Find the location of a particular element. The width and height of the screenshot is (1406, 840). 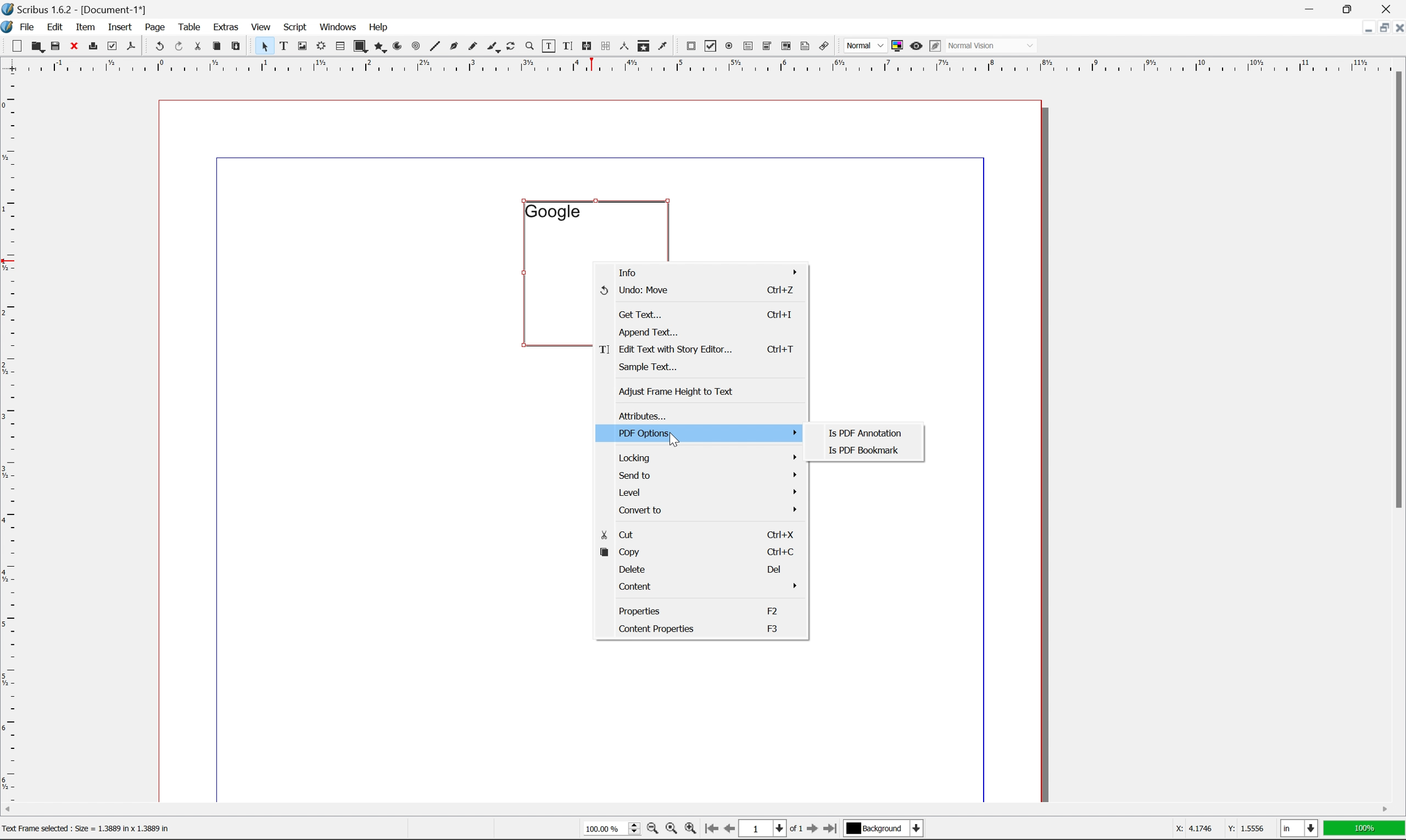

google is located at coordinates (552, 211).